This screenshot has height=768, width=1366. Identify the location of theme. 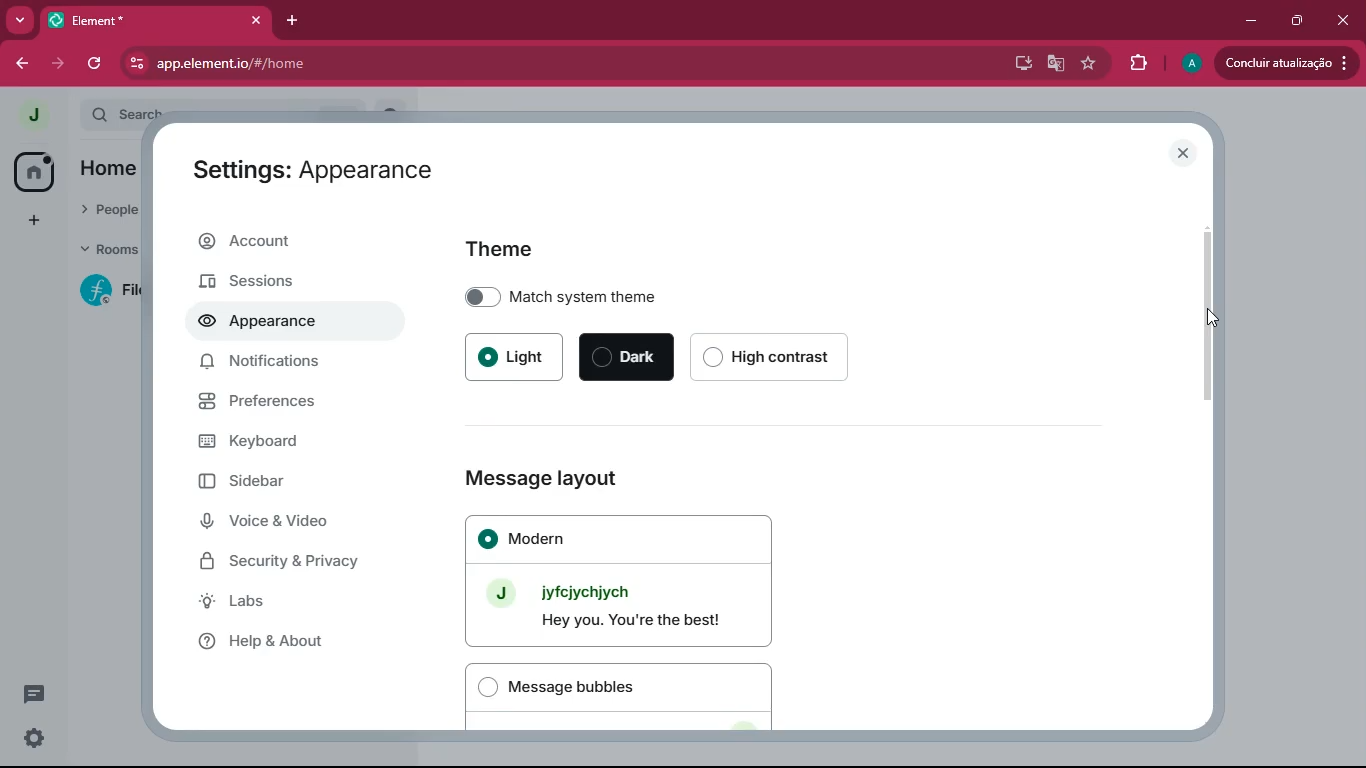
(499, 249).